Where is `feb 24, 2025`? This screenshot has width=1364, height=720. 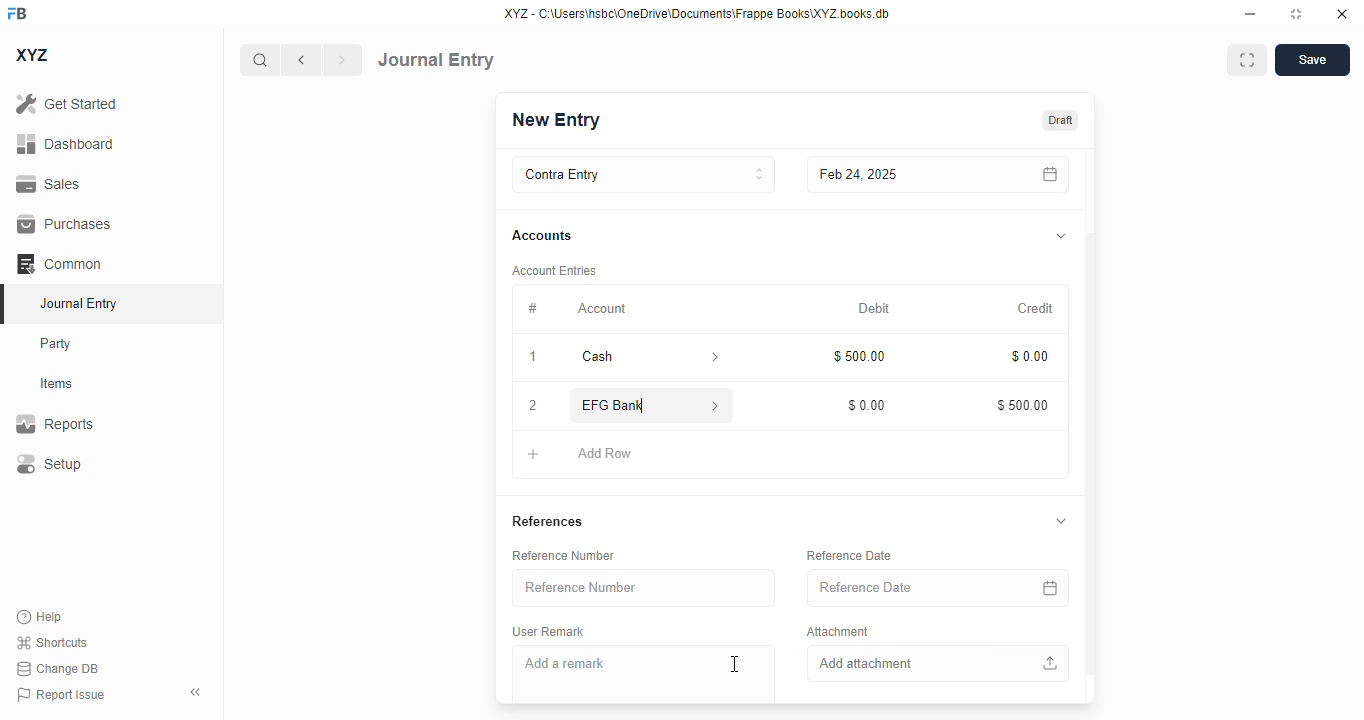
feb 24, 2025 is located at coordinates (894, 175).